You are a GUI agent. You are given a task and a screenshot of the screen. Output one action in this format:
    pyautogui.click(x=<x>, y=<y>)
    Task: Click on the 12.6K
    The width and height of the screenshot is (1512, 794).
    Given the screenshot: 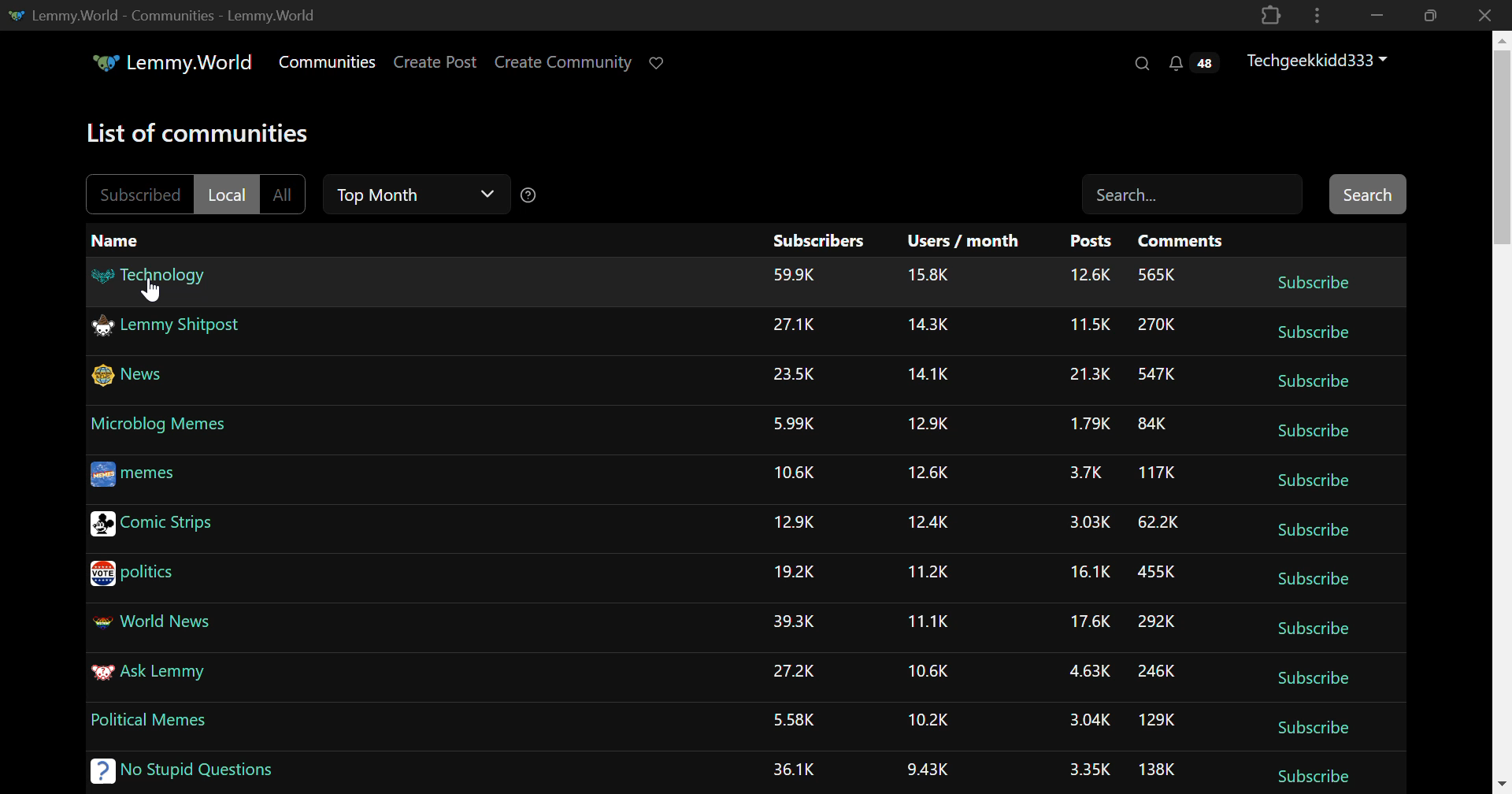 What is the action you would take?
    pyautogui.click(x=926, y=473)
    